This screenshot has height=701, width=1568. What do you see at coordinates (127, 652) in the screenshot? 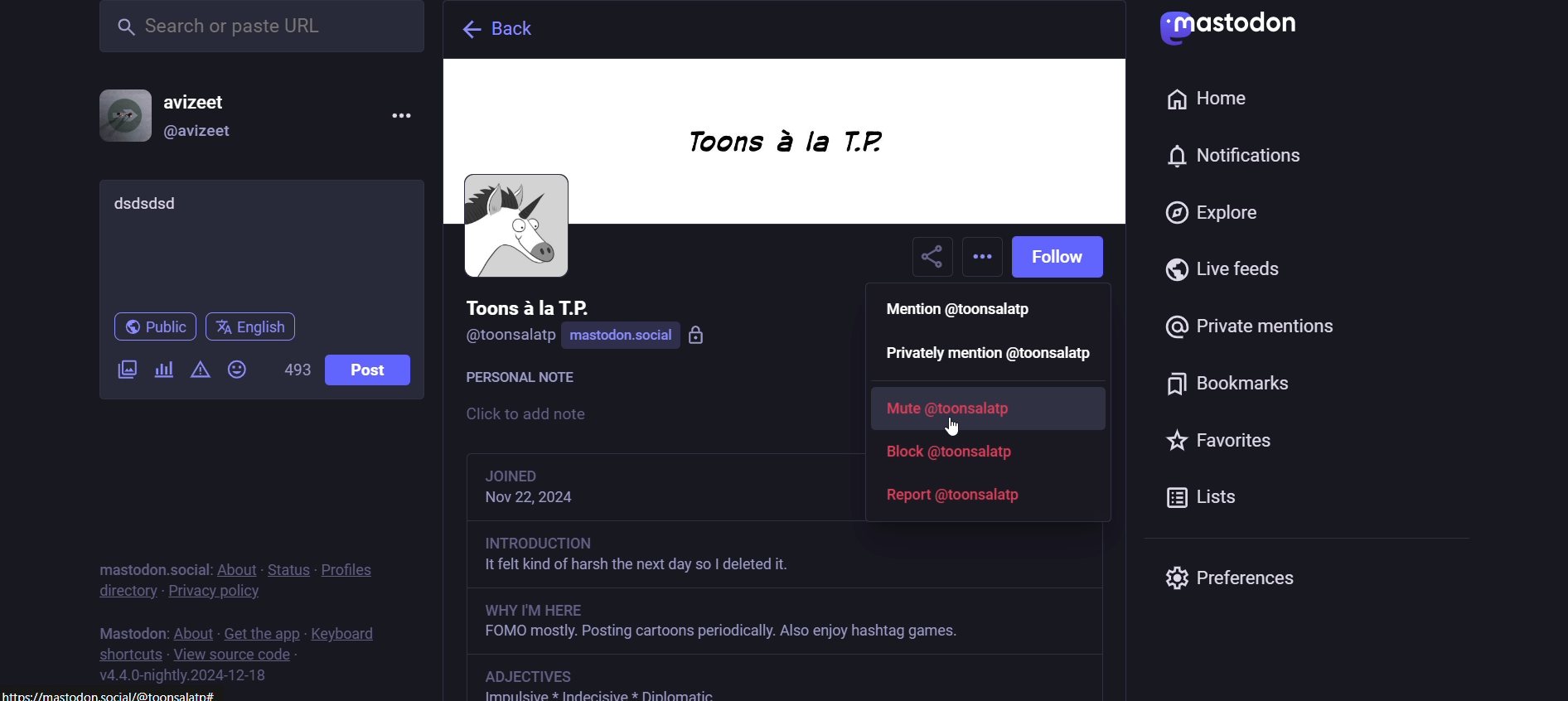
I see `shortcuts` at bounding box center [127, 652].